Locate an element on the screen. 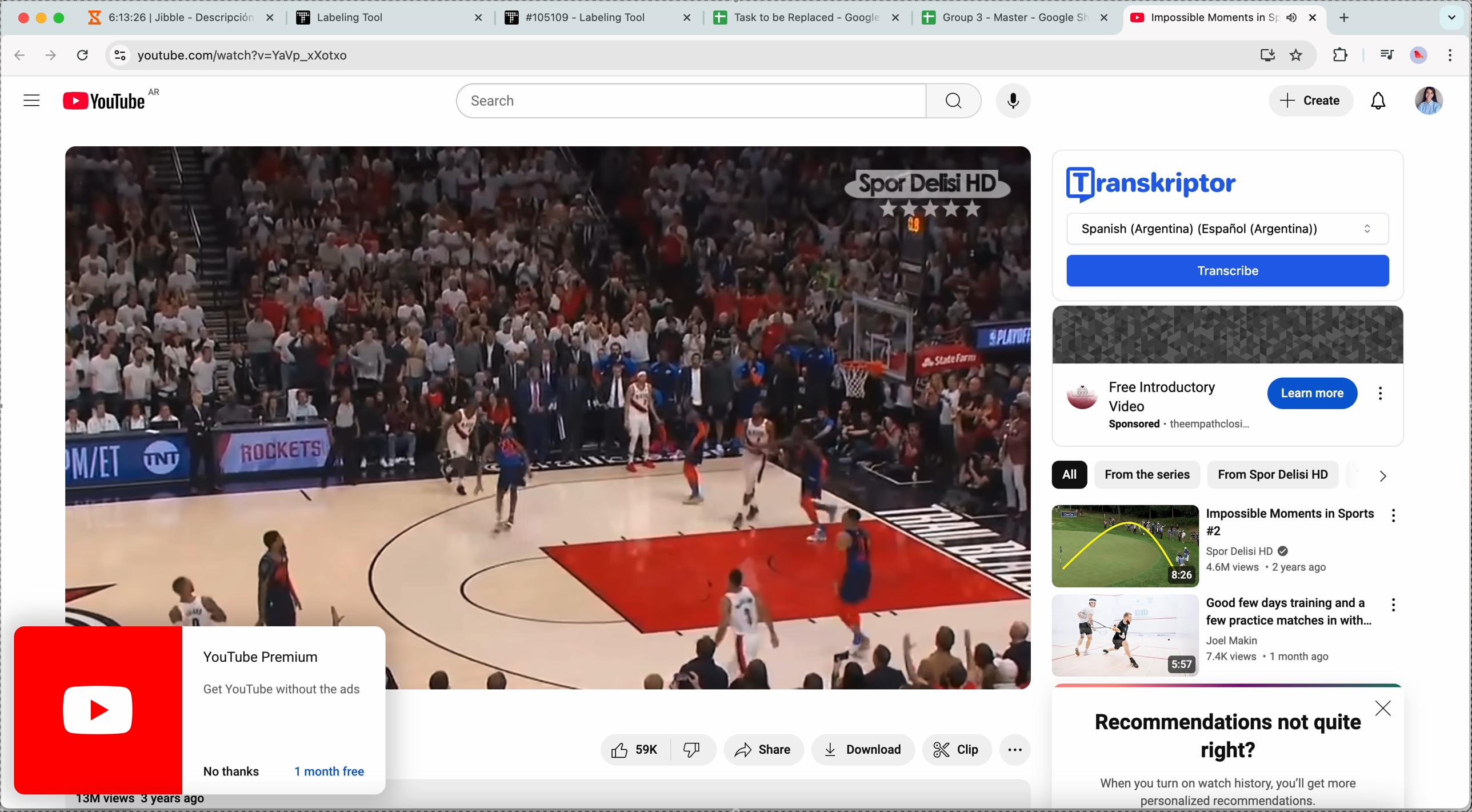 Image resolution: width=1472 pixels, height=812 pixels. video is located at coordinates (711, 661).